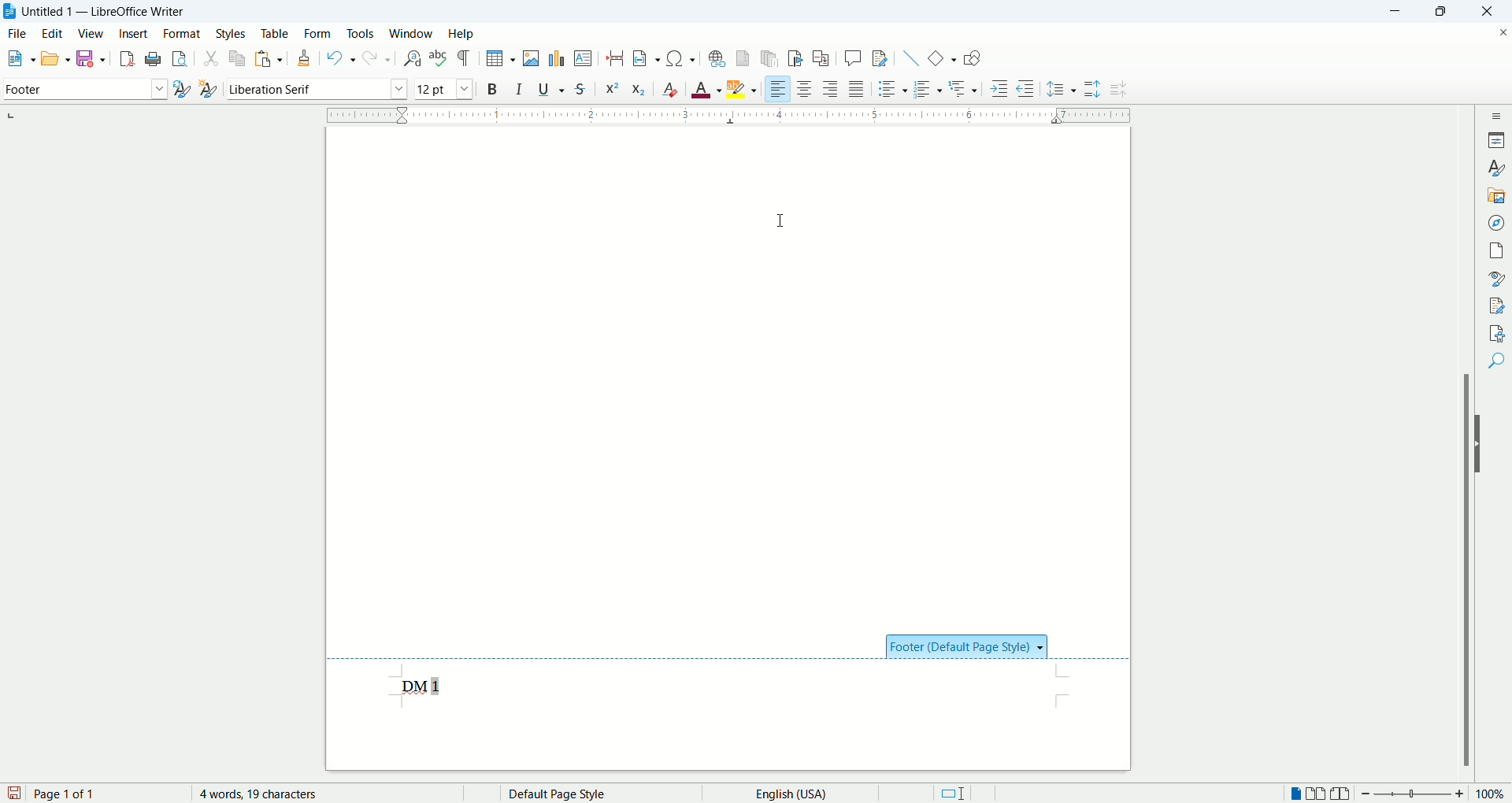 The image size is (1512, 803). What do you see at coordinates (317, 89) in the screenshot?
I see `font name` at bounding box center [317, 89].